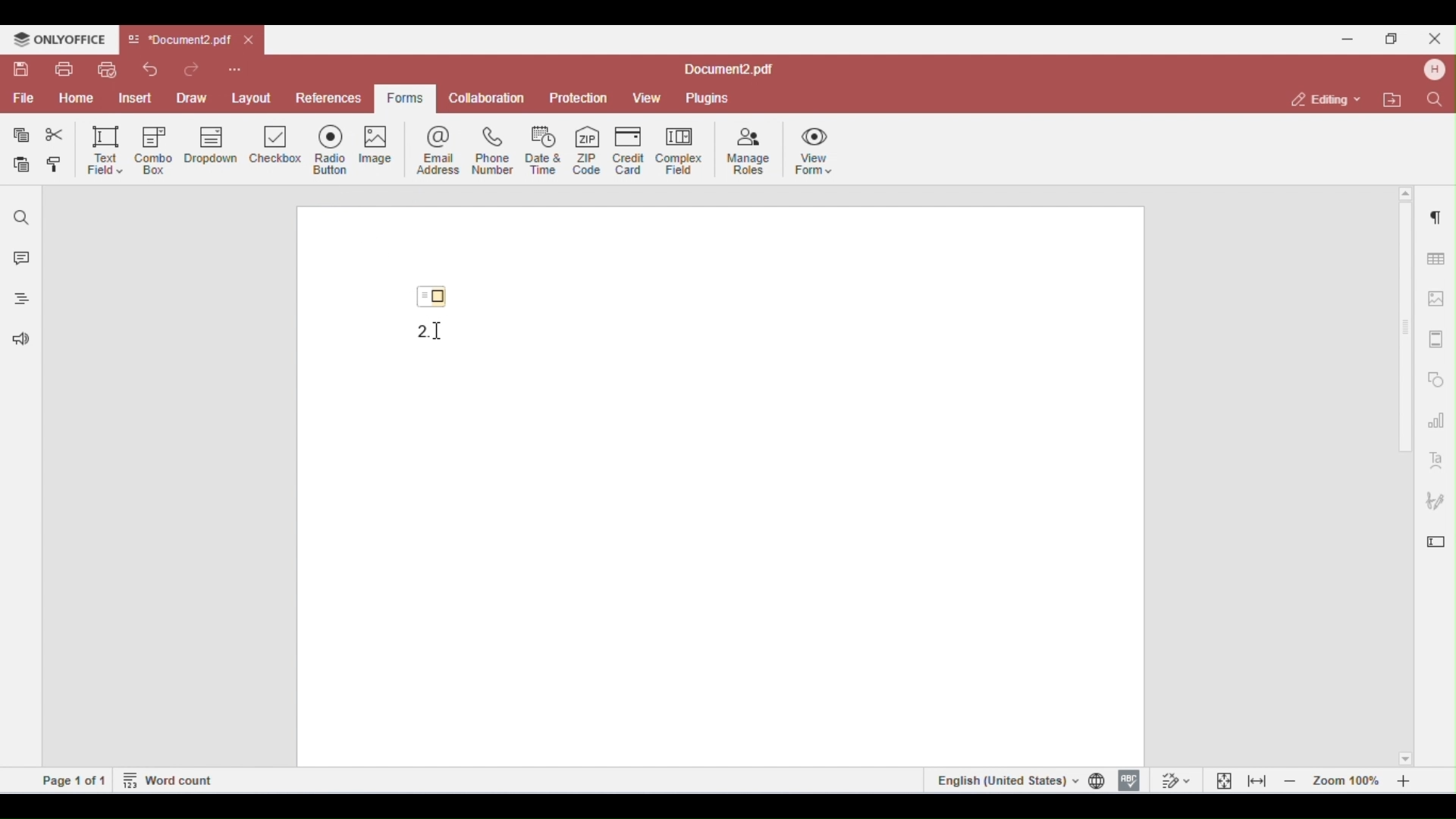  I want to click on home, so click(76, 99).